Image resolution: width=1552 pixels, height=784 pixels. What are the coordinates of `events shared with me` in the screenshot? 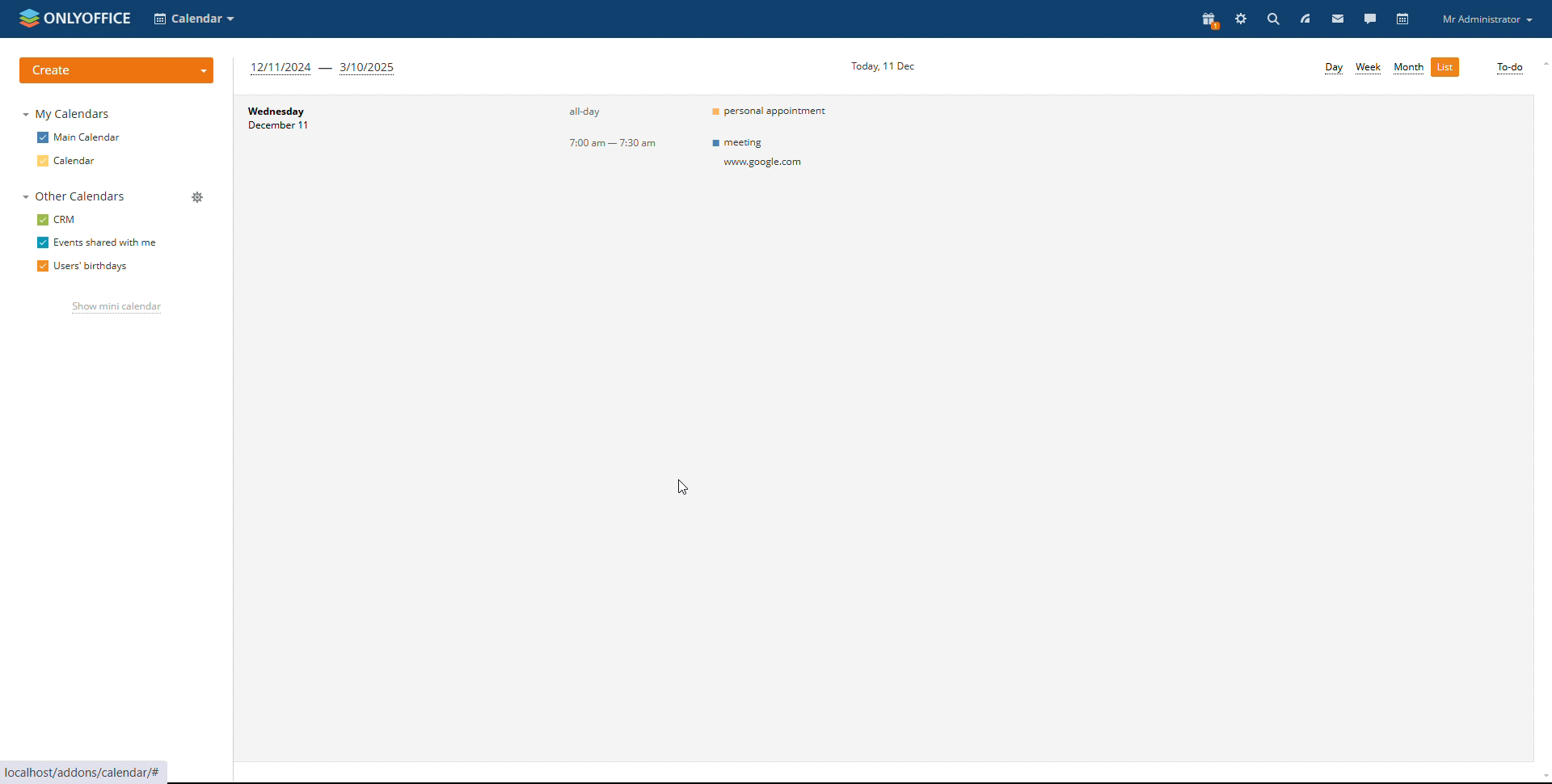 It's located at (96, 242).